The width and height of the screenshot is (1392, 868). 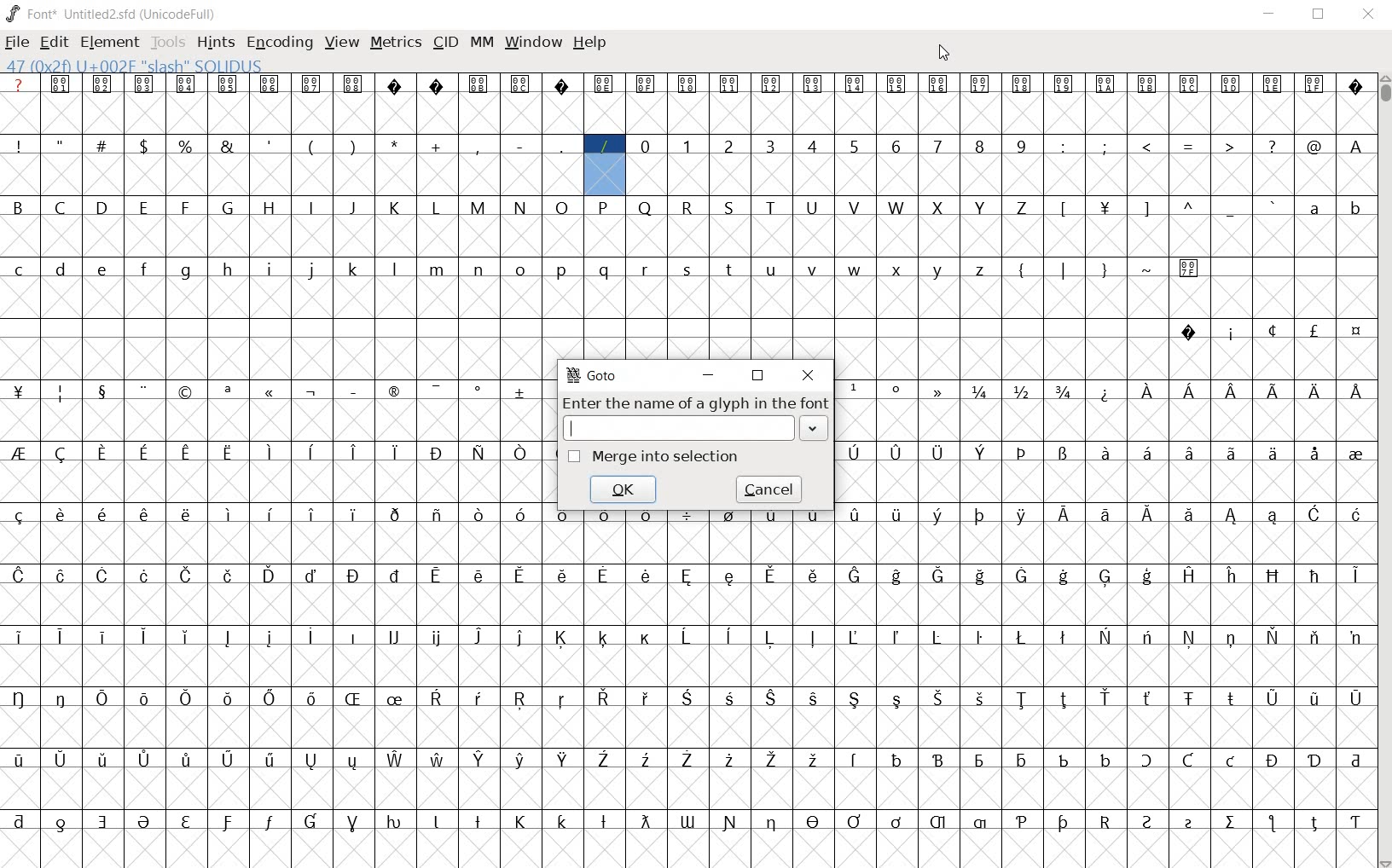 I want to click on glyph, so click(x=478, y=516).